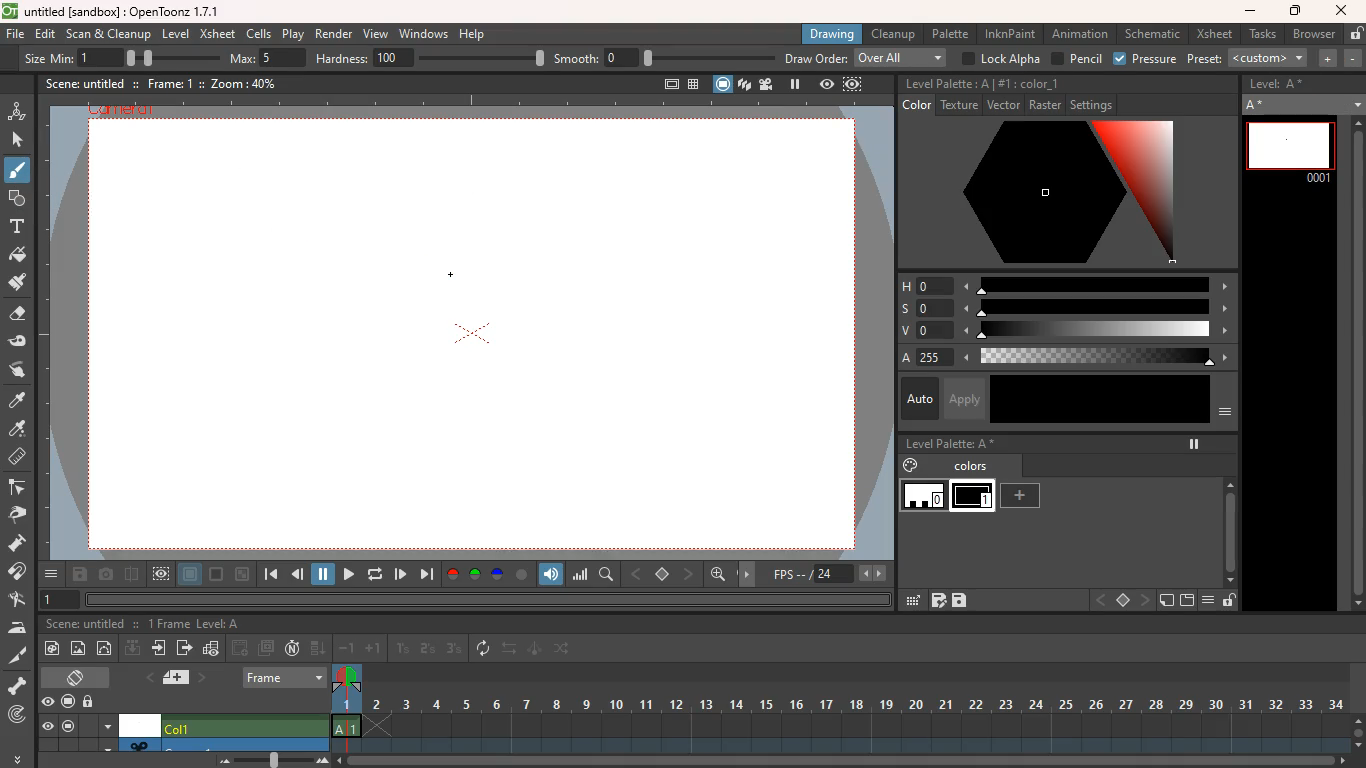 The image size is (1366, 768). What do you see at coordinates (972, 468) in the screenshot?
I see `colors` at bounding box center [972, 468].